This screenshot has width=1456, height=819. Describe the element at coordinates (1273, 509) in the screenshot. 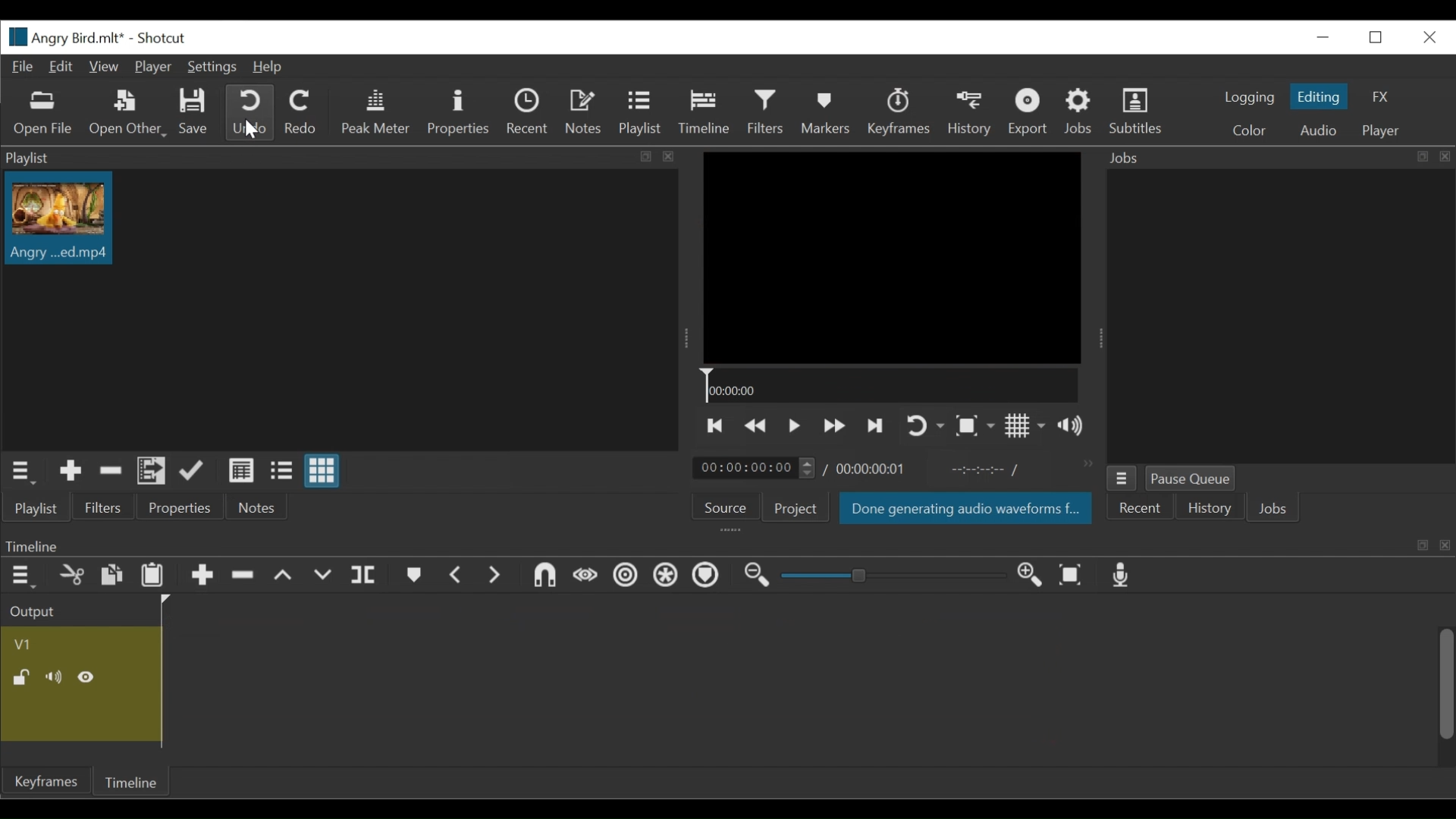

I see `Jobs` at that location.